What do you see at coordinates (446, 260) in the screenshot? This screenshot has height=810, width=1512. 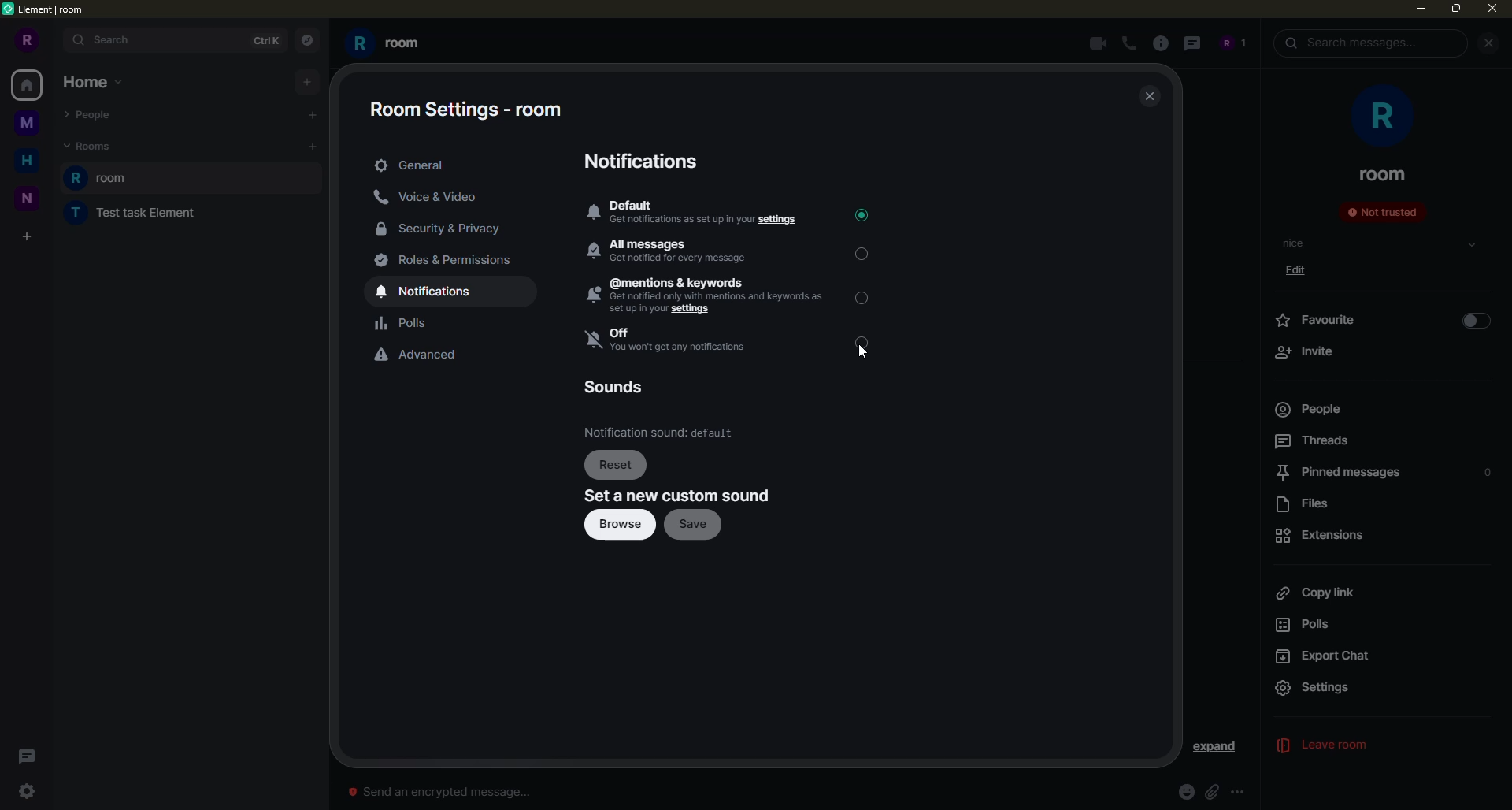 I see `roles& permissions` at bounding box center [446, 260].